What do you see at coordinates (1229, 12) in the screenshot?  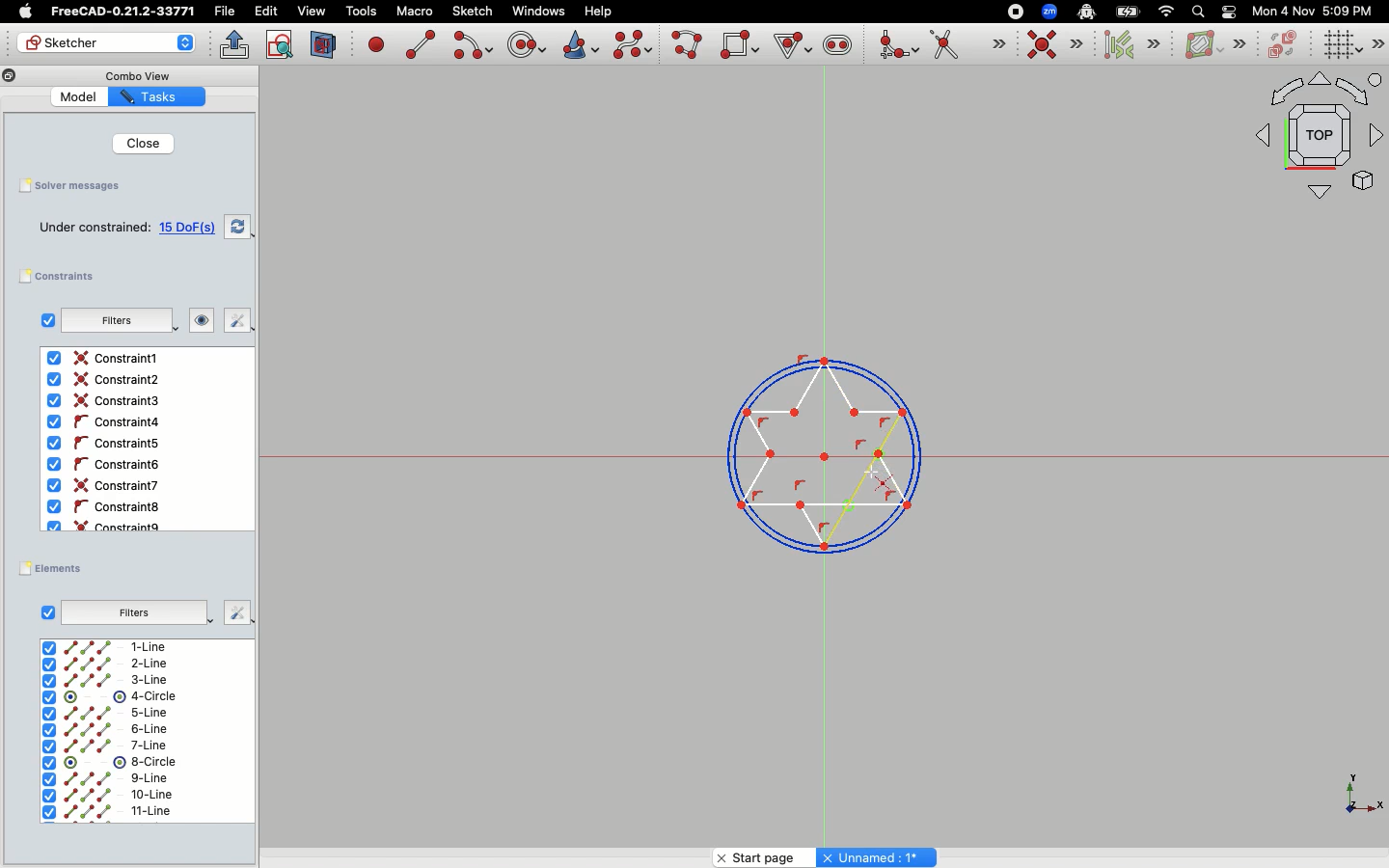 I see `Toggle` at bounding box center [1229, 12].